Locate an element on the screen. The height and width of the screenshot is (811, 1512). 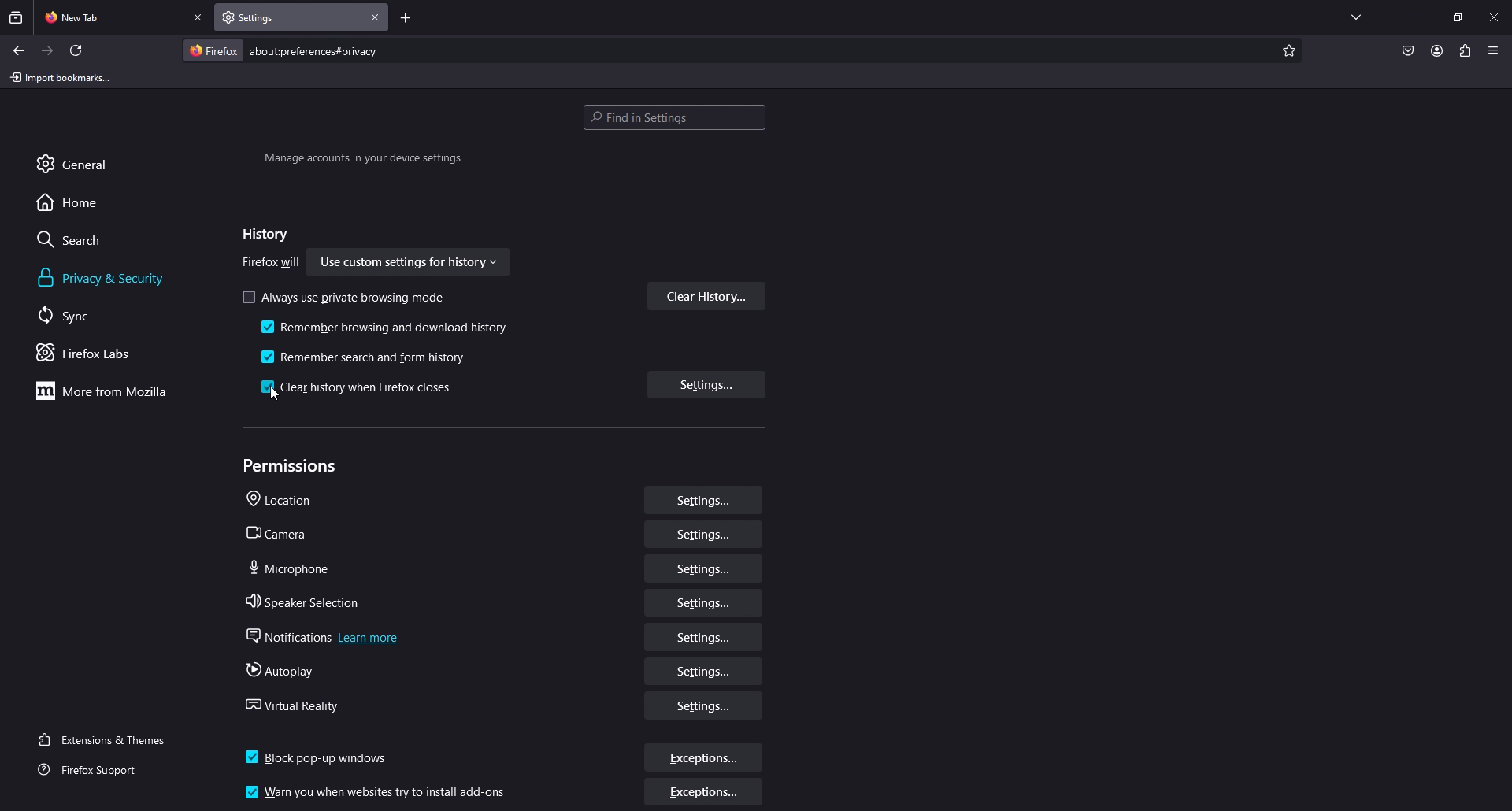
settings is located at coordinates (706, 707).